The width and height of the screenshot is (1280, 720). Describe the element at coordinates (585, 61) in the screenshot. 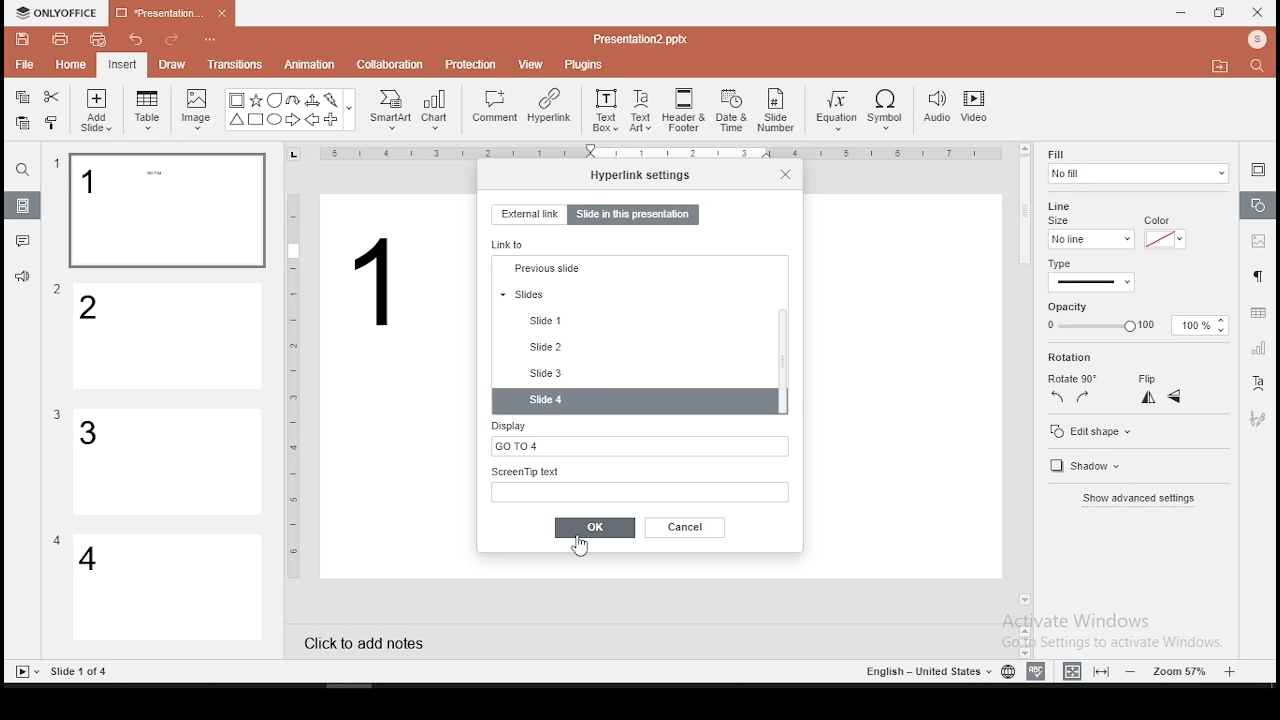

I see `plugins` at that location.